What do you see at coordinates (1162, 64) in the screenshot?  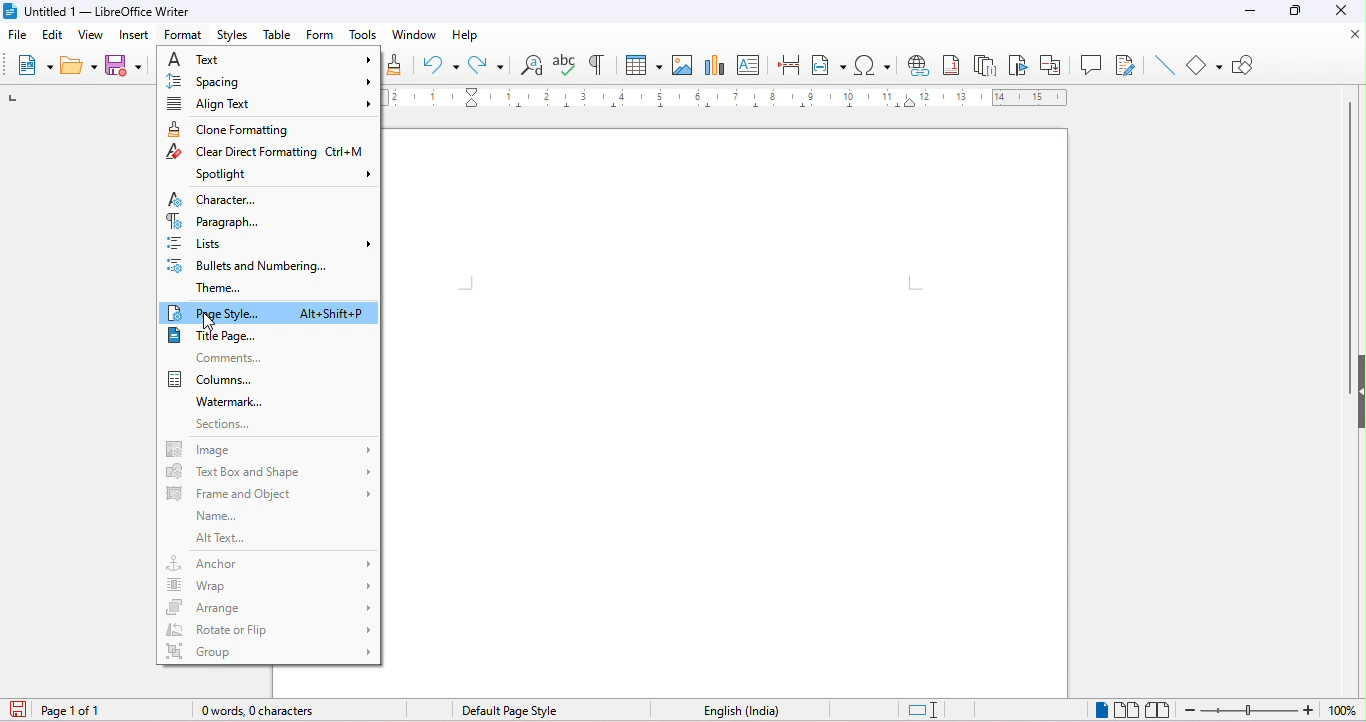 I see `line` at bounding box center [1162, 64].